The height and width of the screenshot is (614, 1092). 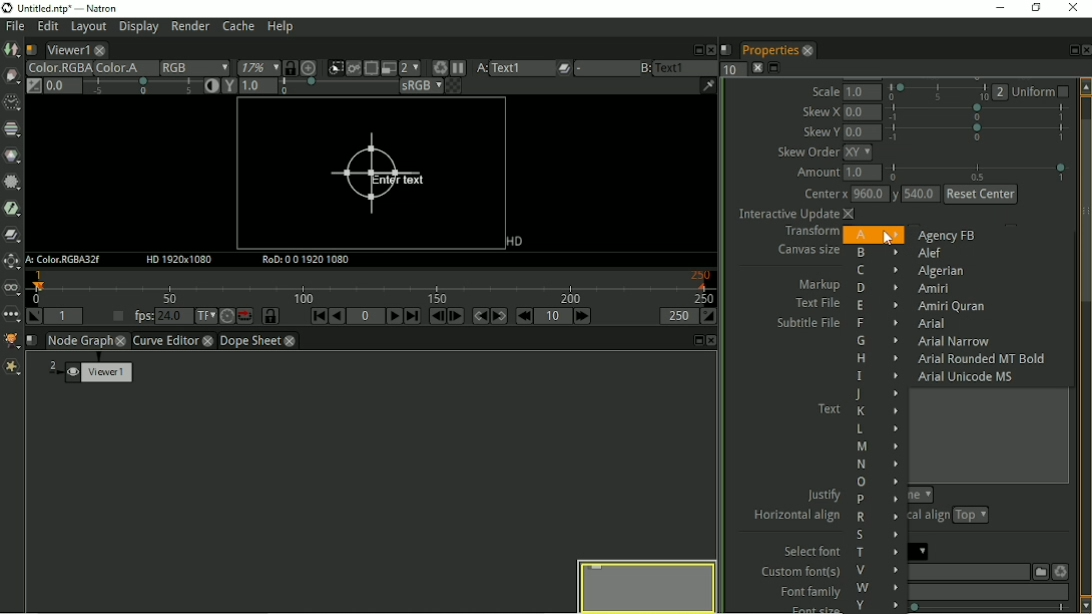 What do you see at coordinates (977, 113) in the screenshot?
I see `selection bar` at bounding box center [977, 113].